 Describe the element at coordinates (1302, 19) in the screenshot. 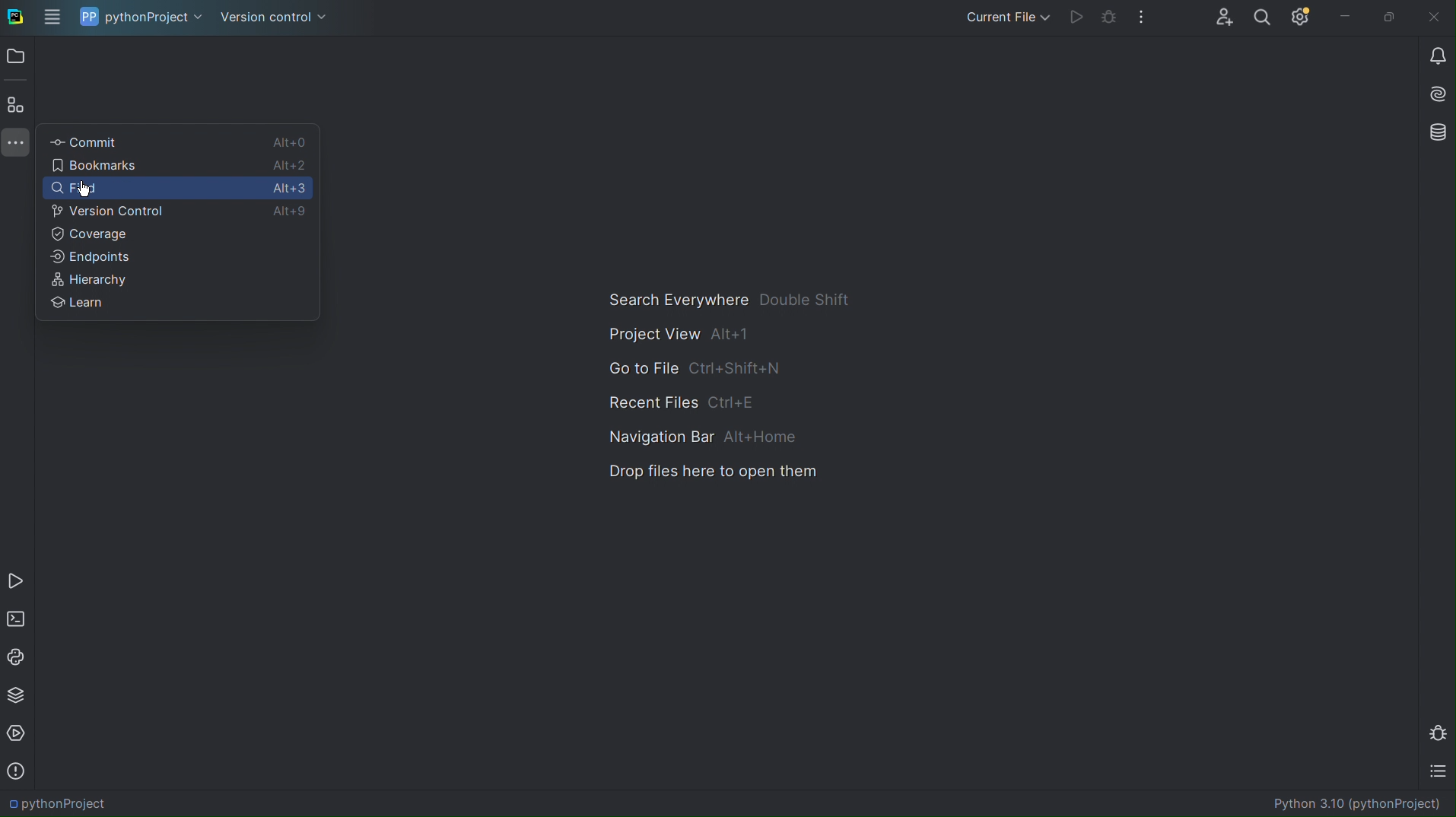

I see `Settings` at that location.